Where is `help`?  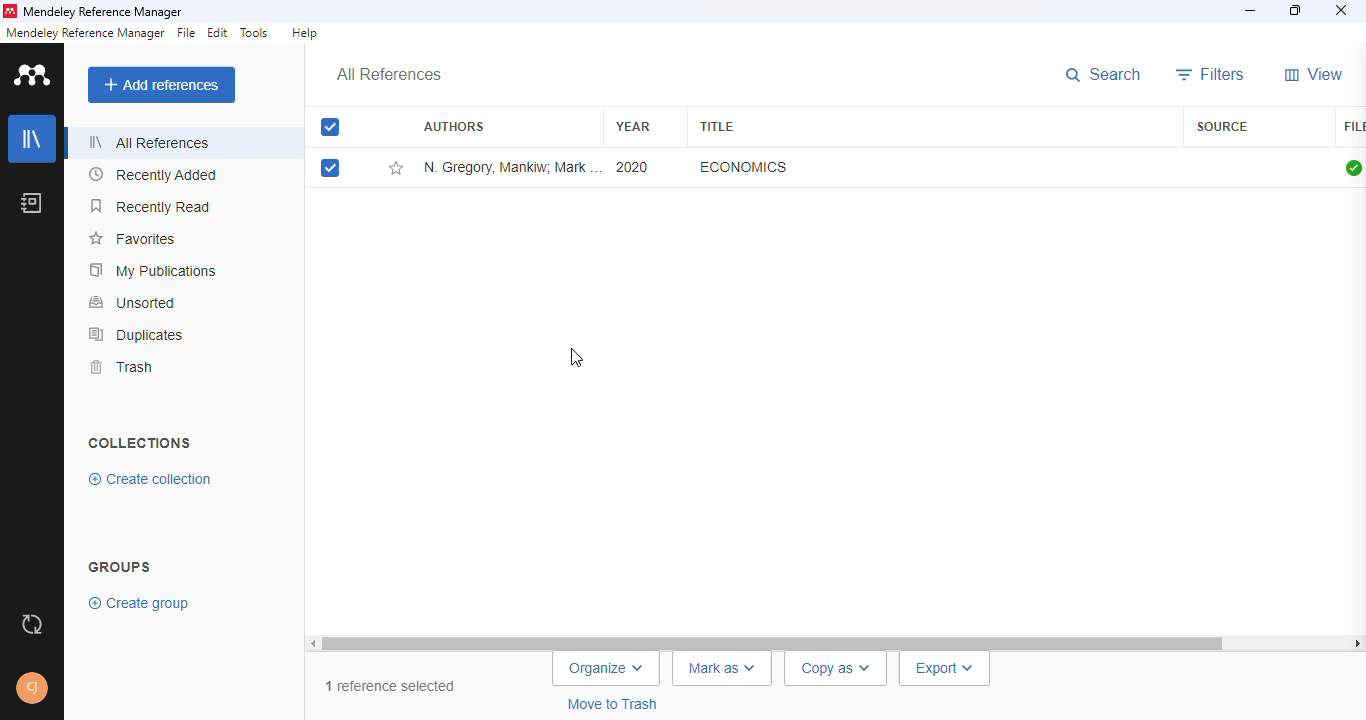
help is located at coordinates (303, 32).